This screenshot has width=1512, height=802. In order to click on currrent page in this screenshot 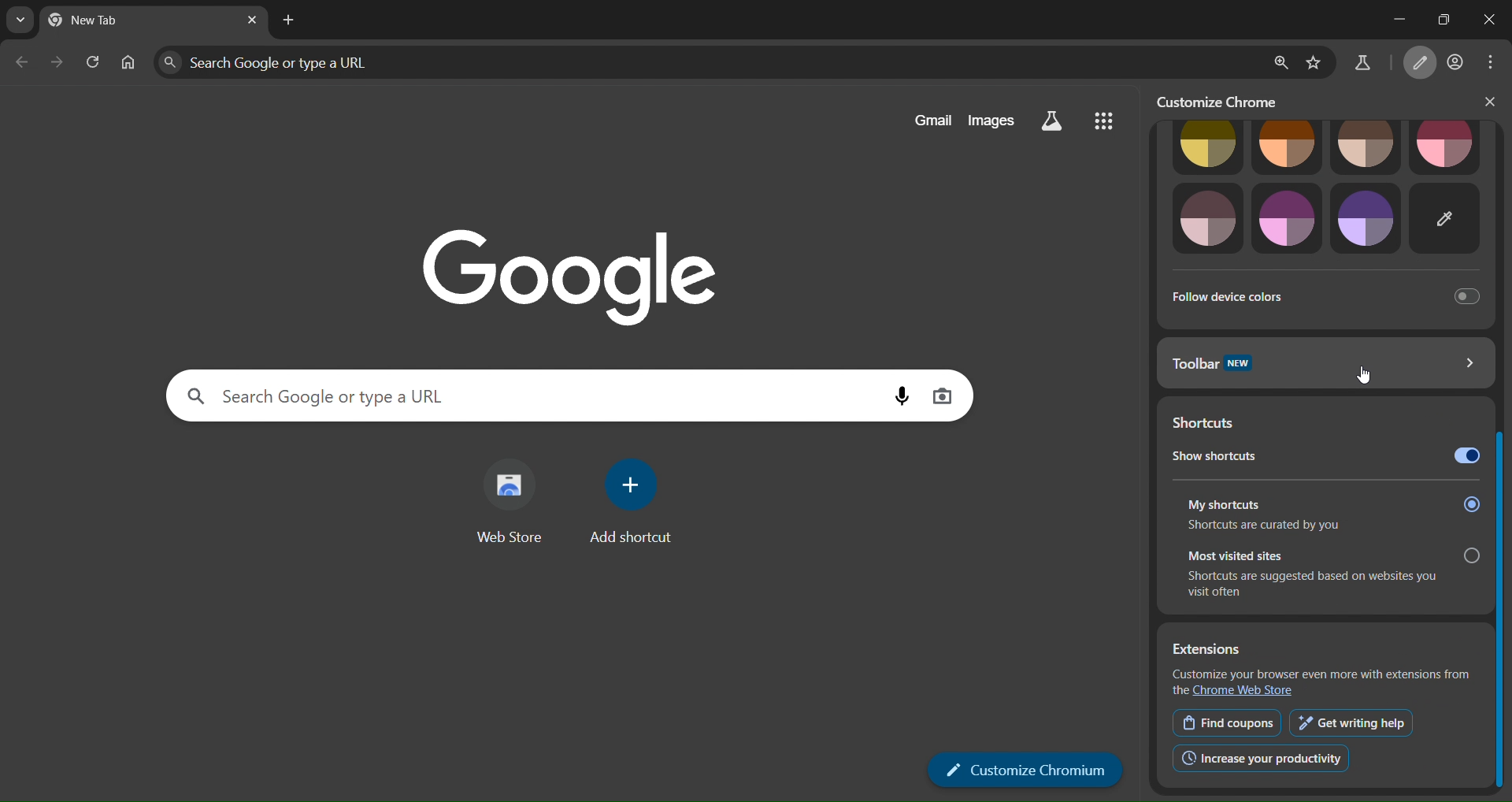, I will do `click(110, 20)`.